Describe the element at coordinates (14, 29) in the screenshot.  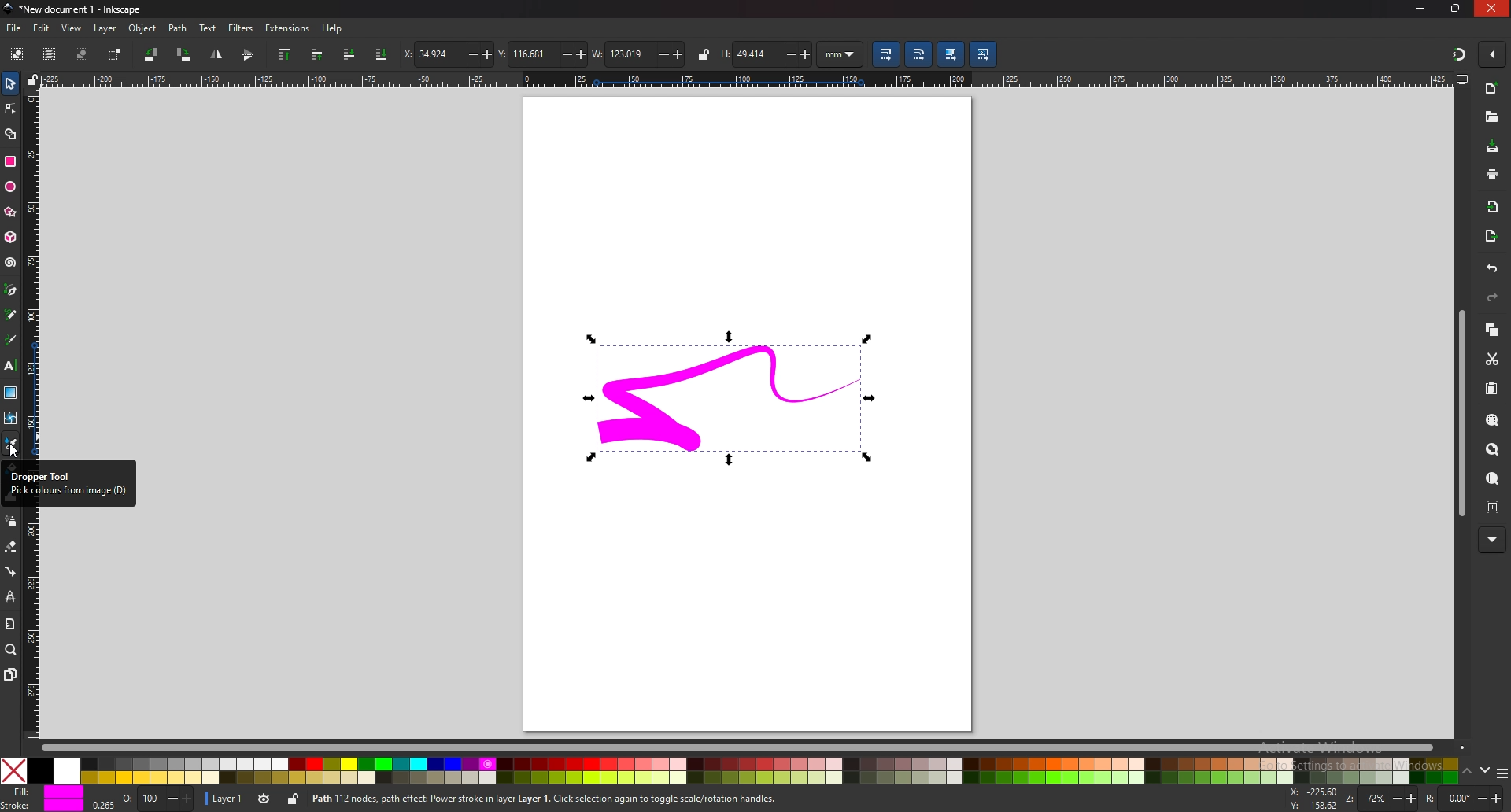
I see `file` at that location.